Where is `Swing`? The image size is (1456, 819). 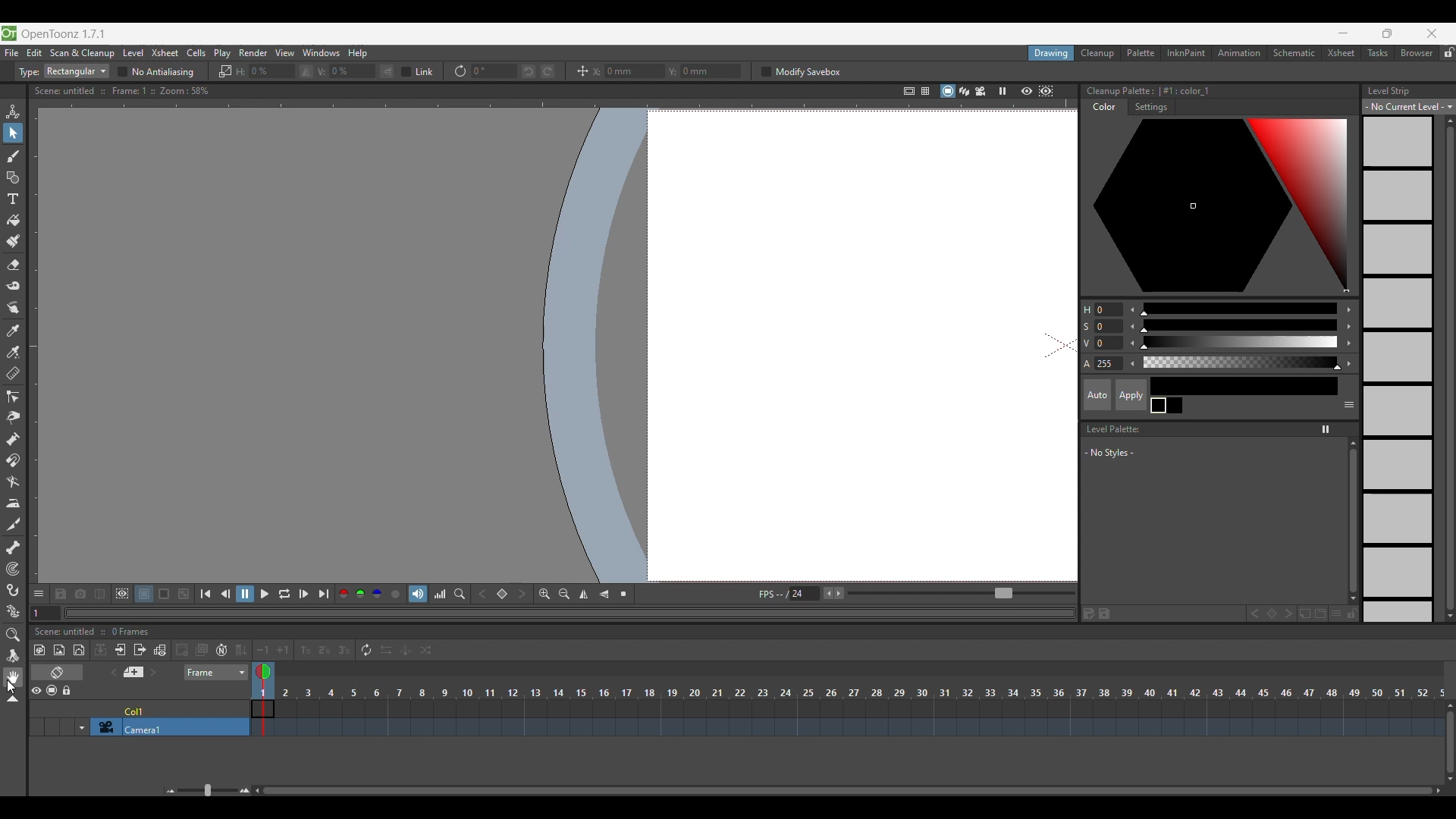
Swing is located at coordinates (406, 650).